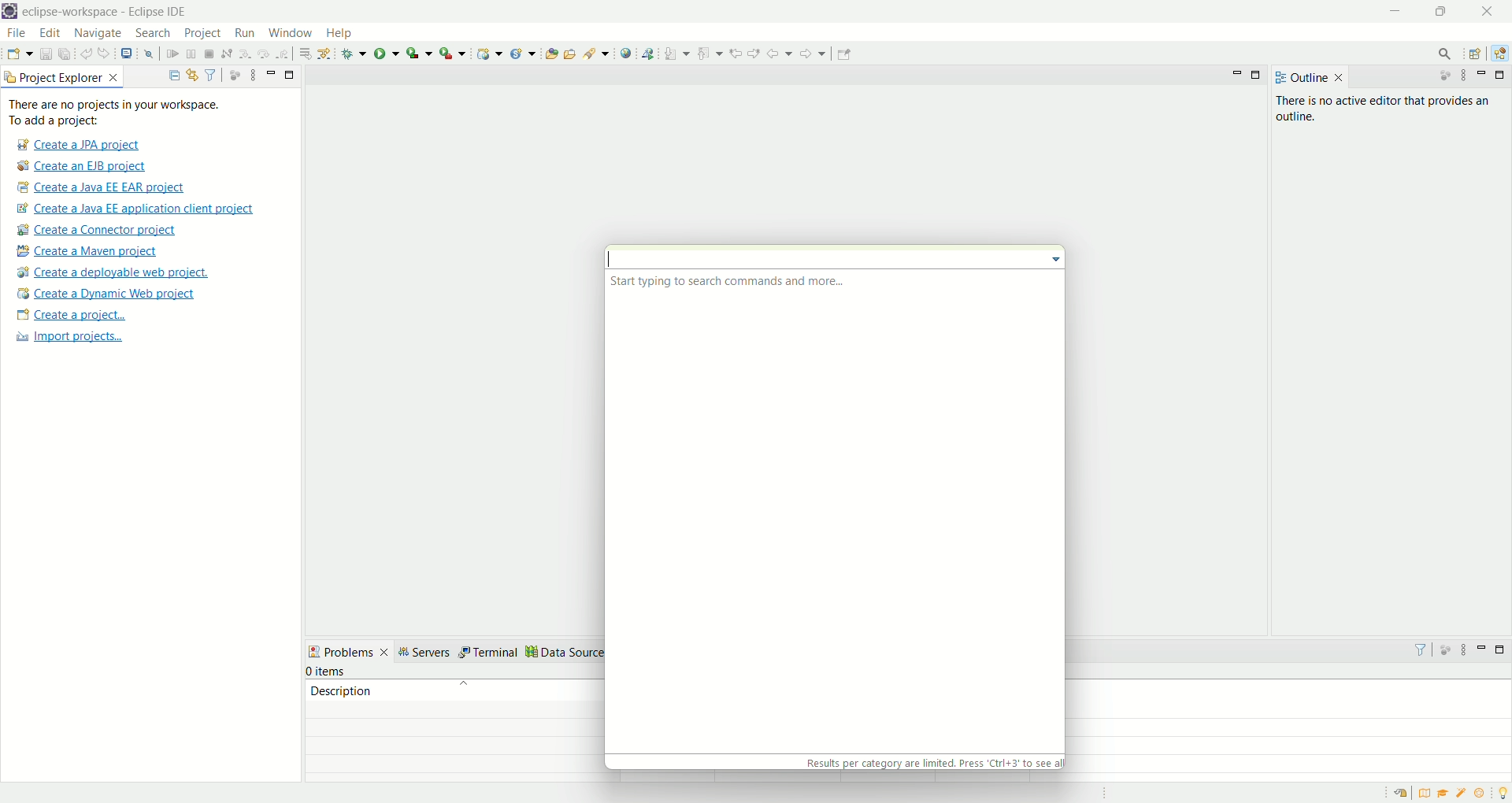 The image size is (1512, 803). Describe the element at coordinates (98, 35) in the screenshot. I see `navigate` at that location.